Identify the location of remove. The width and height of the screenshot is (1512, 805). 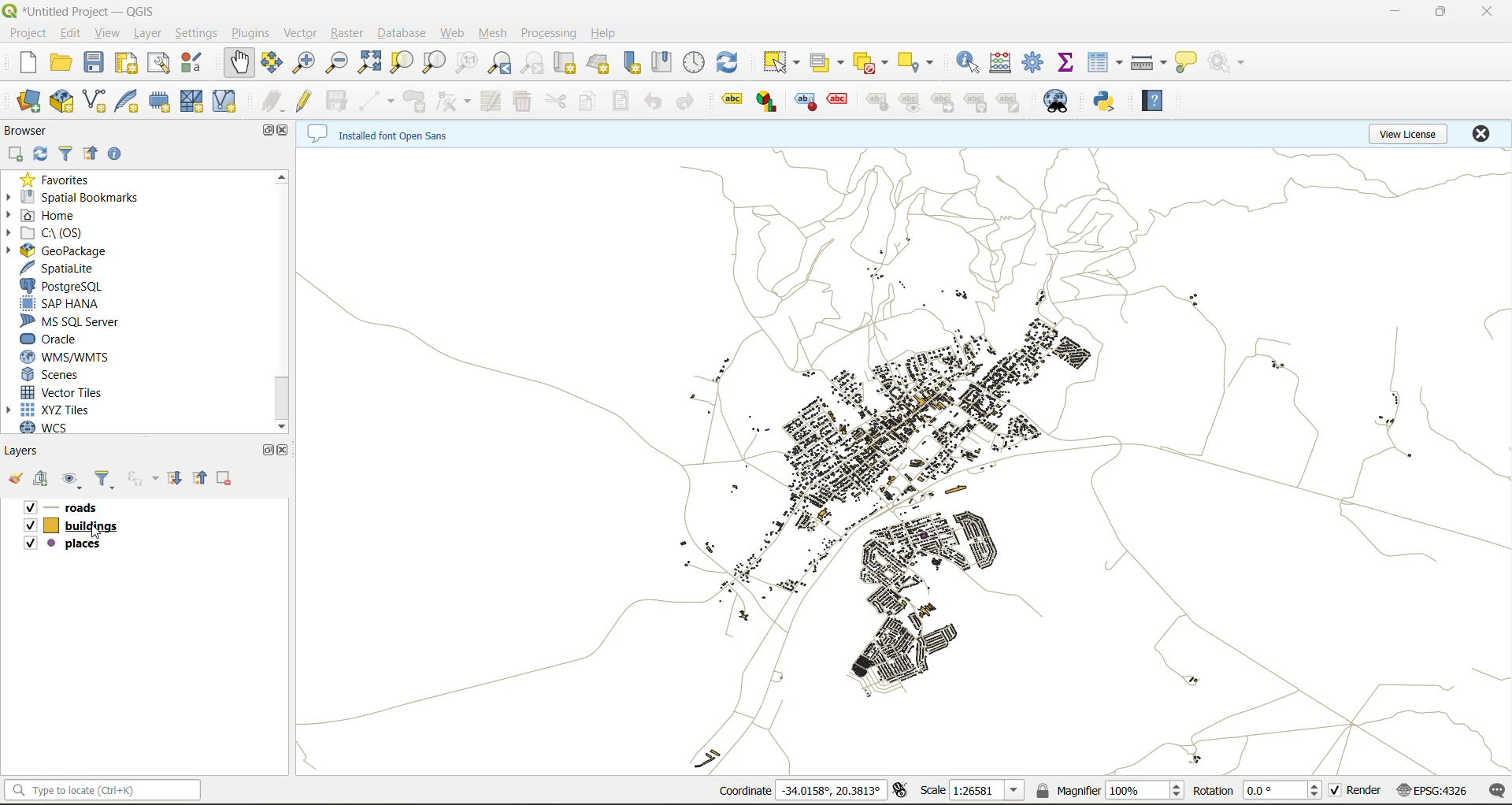
(224, 479).